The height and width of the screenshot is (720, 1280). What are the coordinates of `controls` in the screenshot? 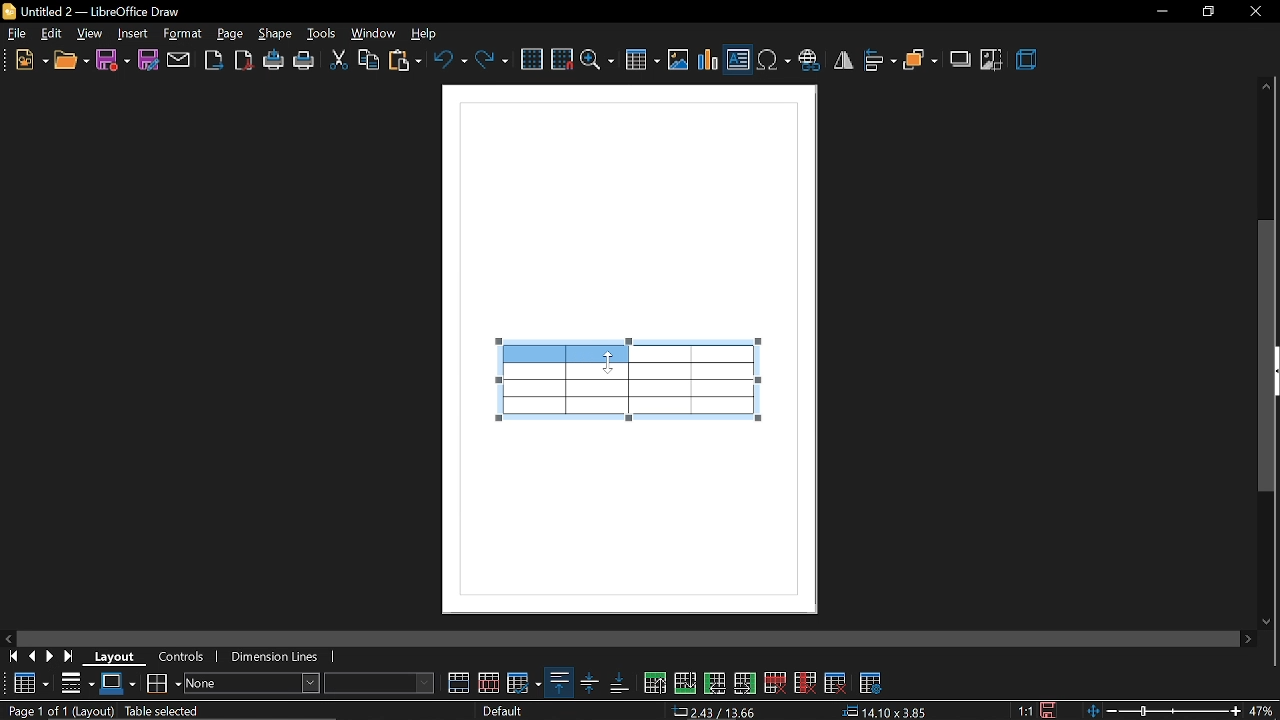 It's located at (186, 659).